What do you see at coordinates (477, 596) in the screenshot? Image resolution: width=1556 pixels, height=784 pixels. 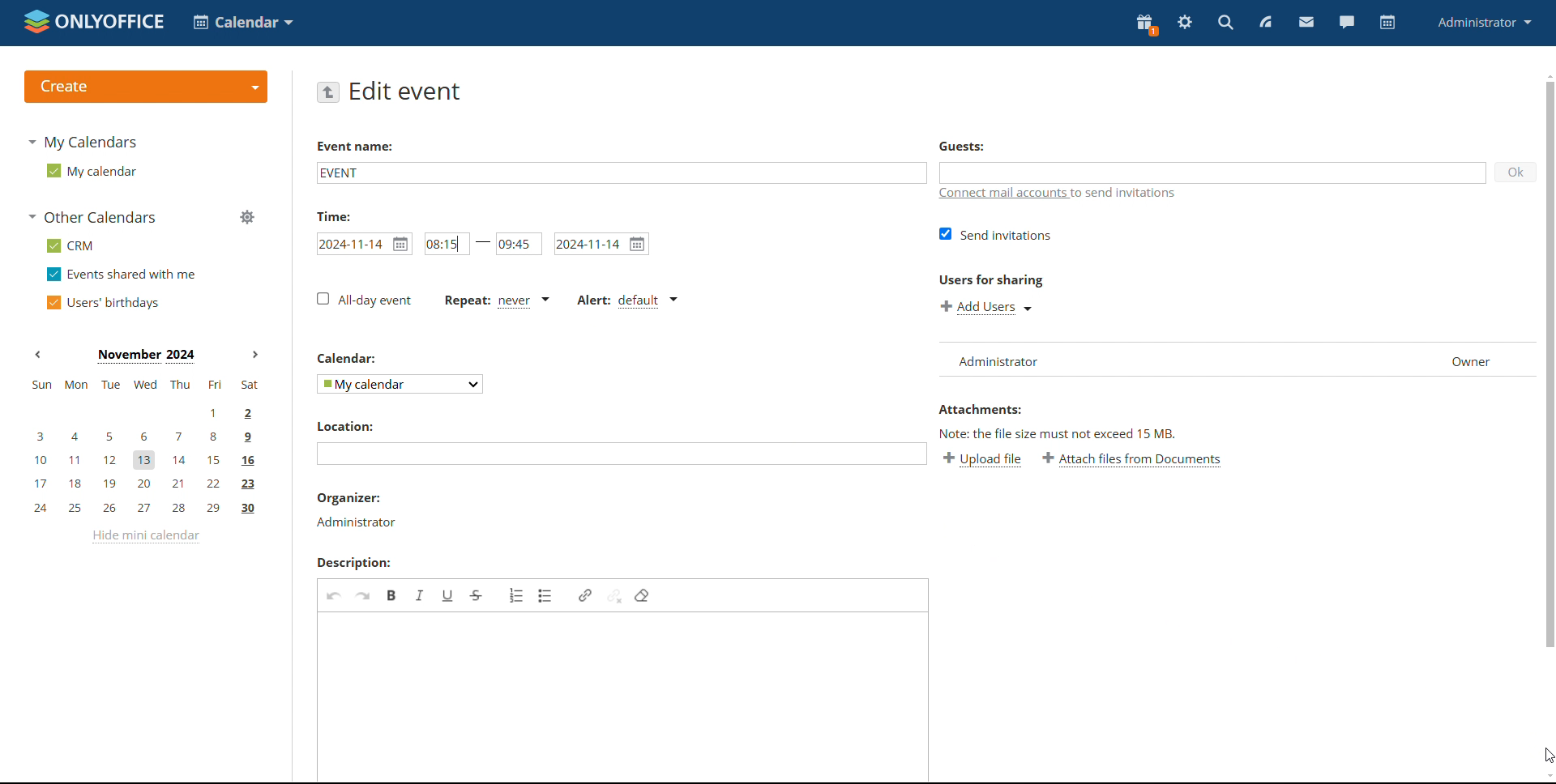 I see `strikethrough` at bounding box center [477, 596].